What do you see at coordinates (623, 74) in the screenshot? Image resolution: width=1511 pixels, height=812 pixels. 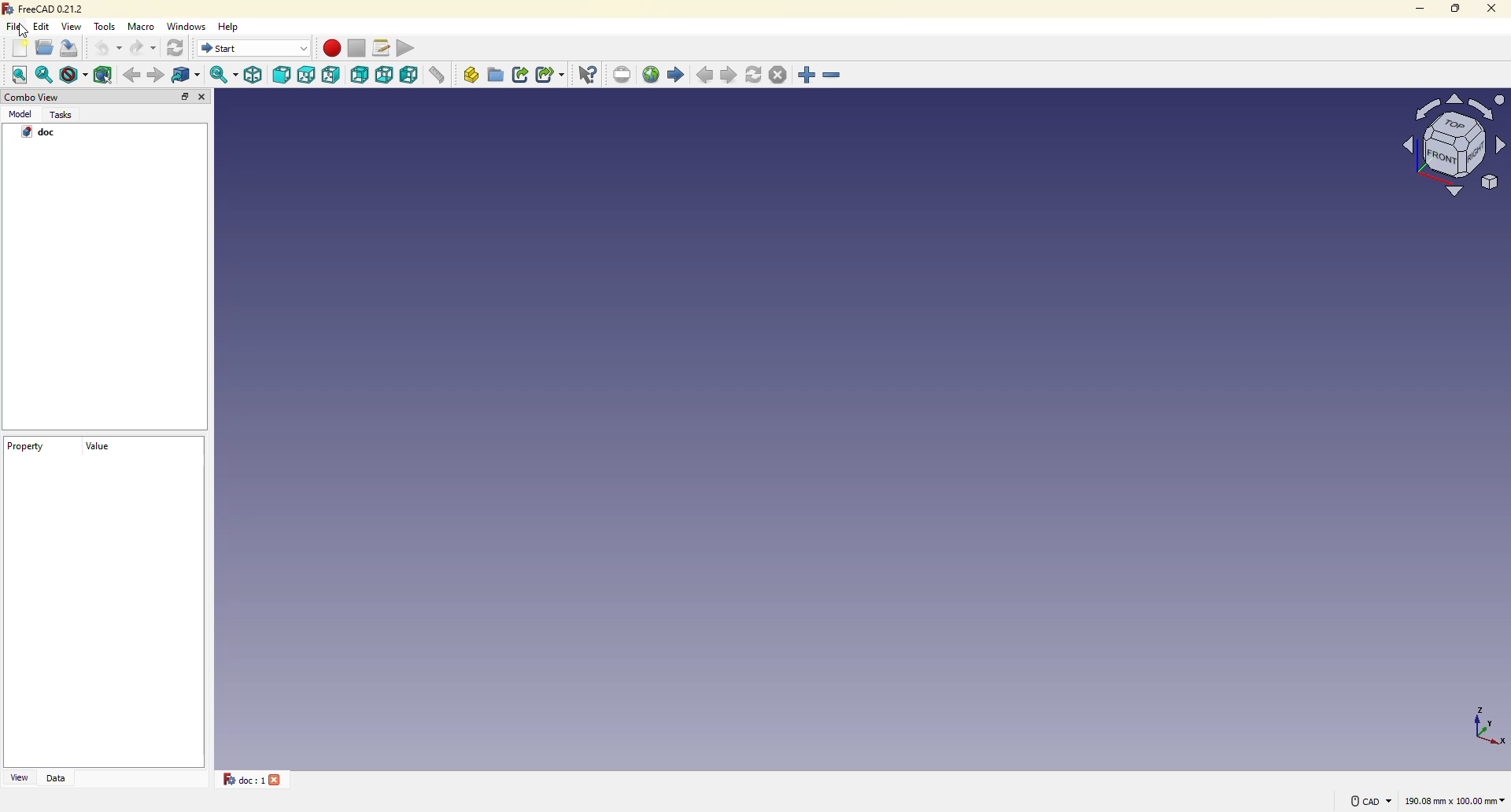 I see `set url` at bounding box center [623, 74].